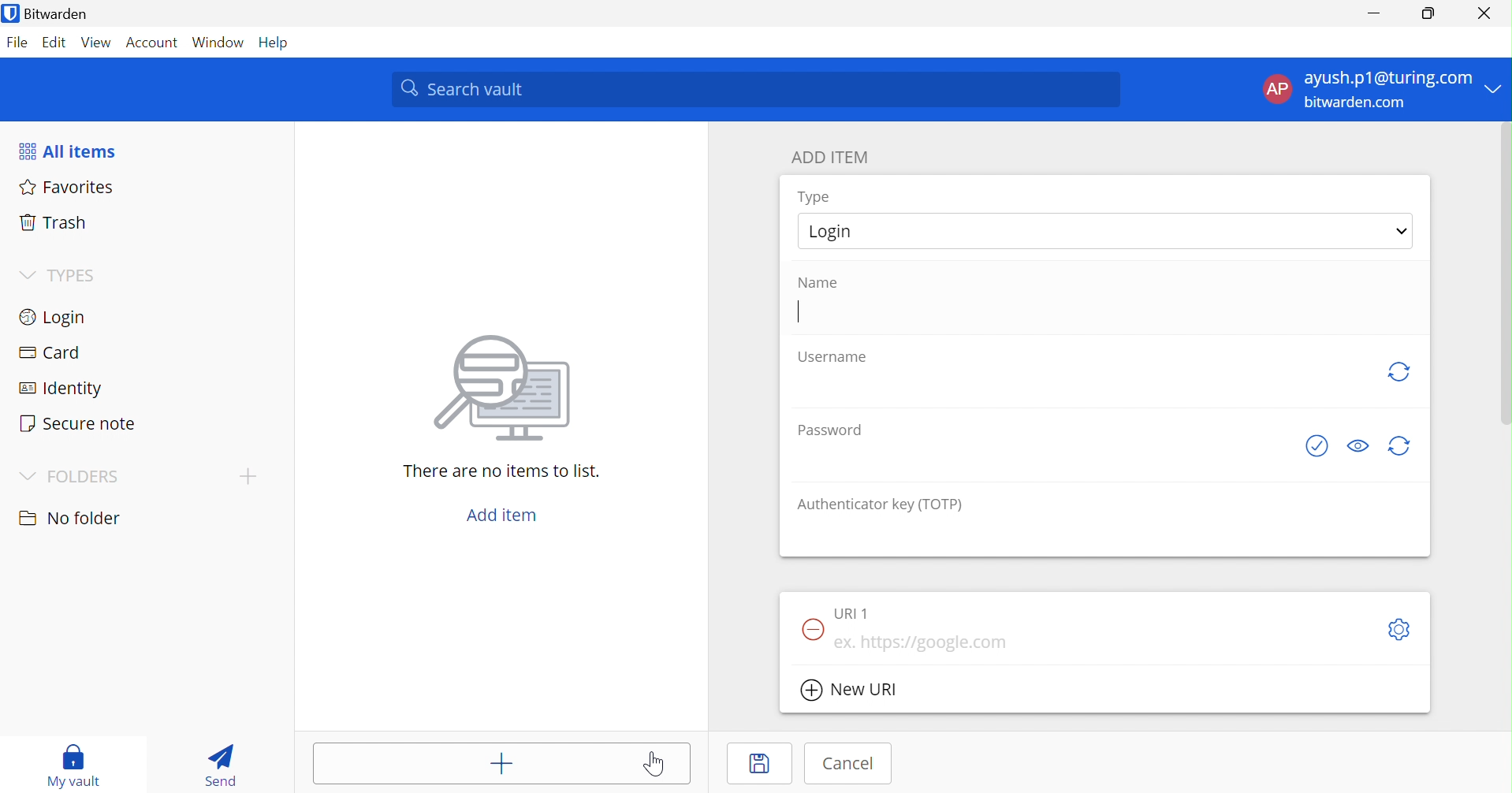 This screenshot has height=793, width=1512. Describe the element at coordinates (67, 187) in the screenshot. I see `Favorites` at that location.